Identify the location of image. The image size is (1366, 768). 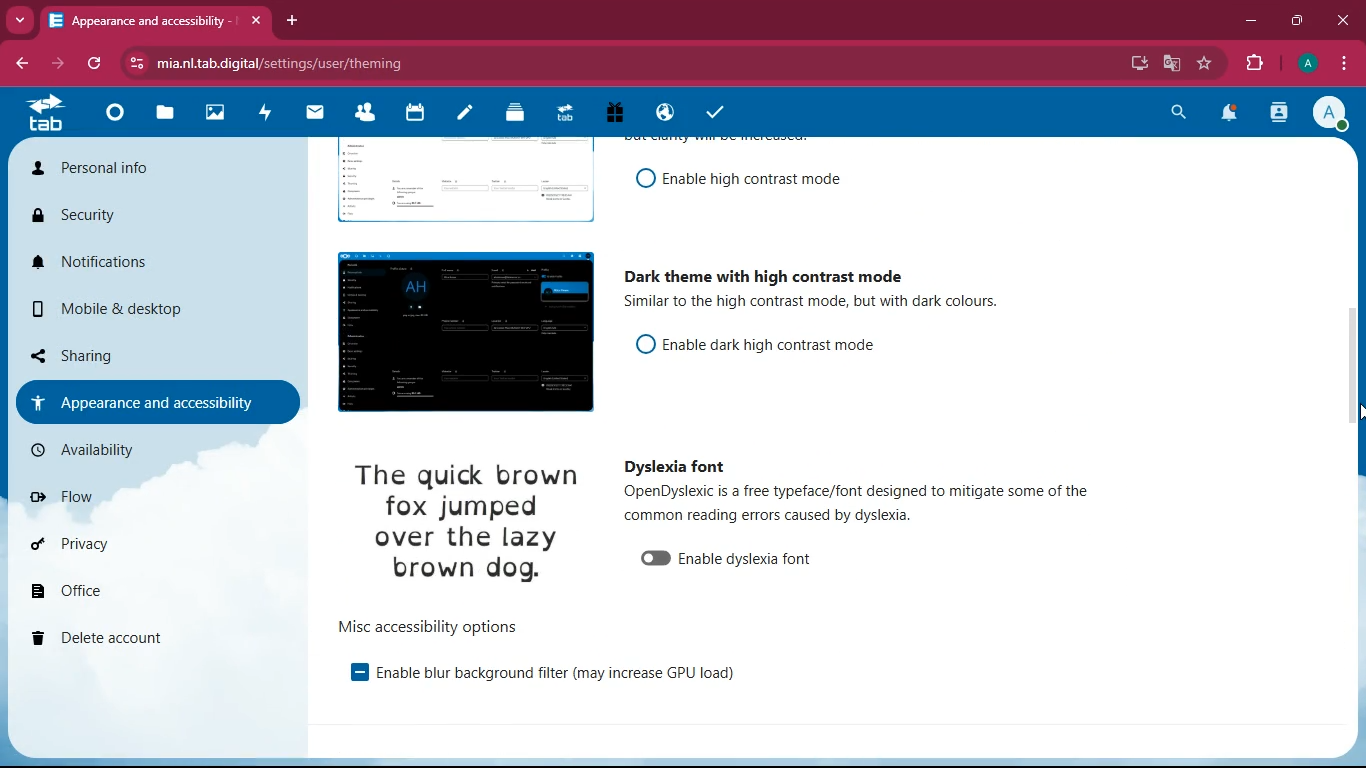
(458, 333).